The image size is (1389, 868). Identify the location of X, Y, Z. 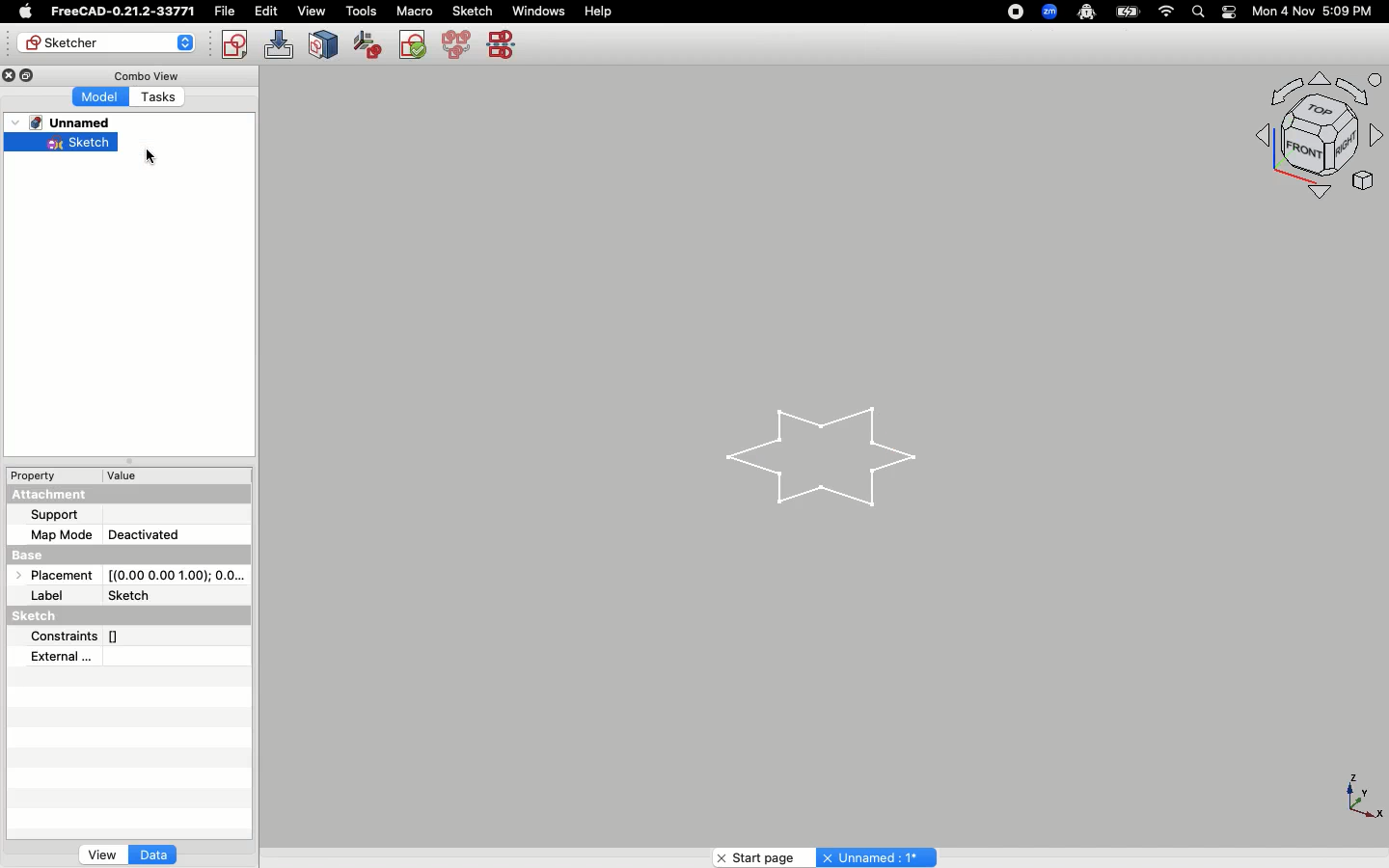
(1351, 800).